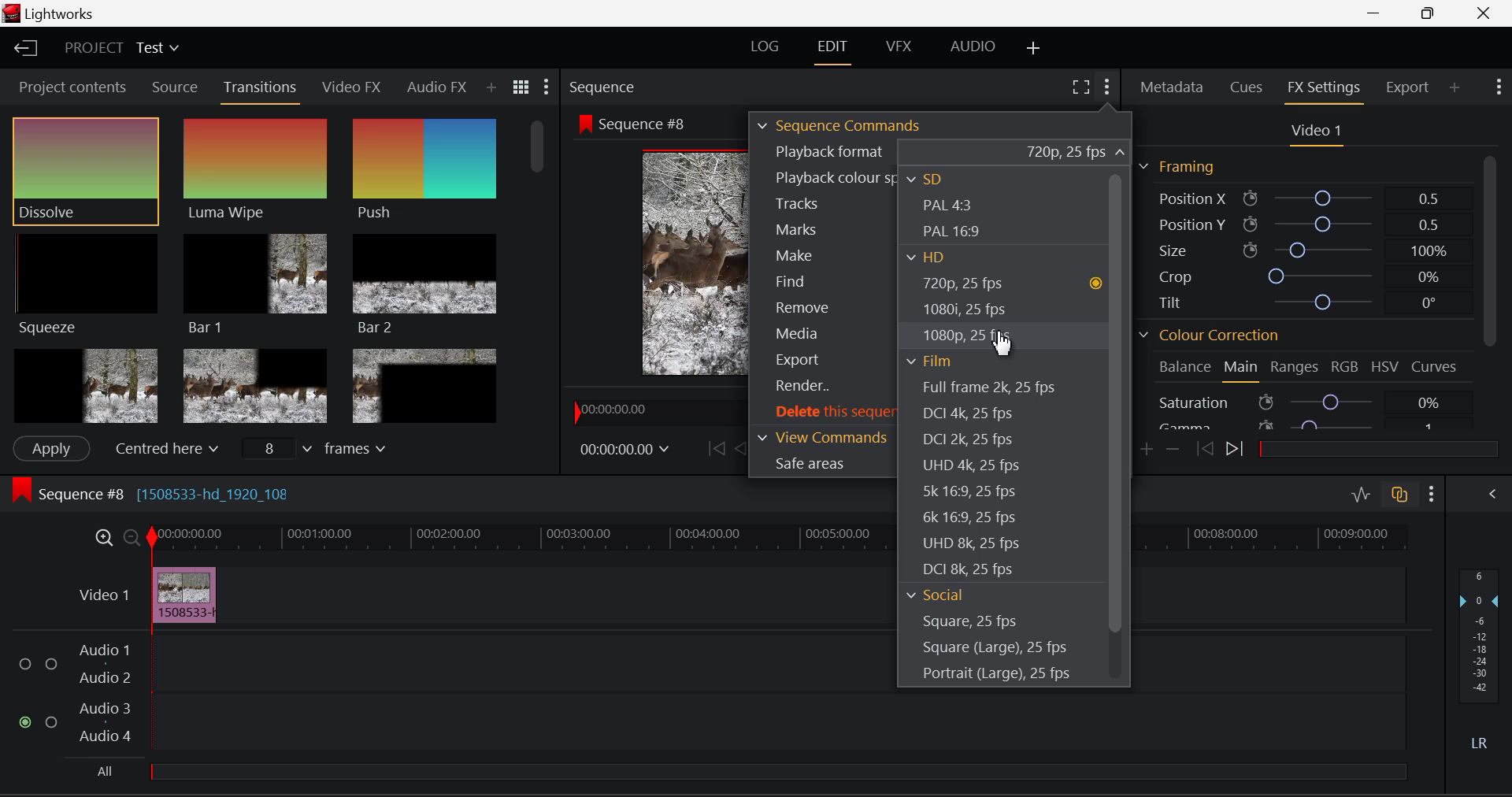 The height and width of the screenshot is (797, 1512). What do you see at coordinates (970, 570) in the screenshot?
I see `DCI 8k` at bounding box center [970, 570].